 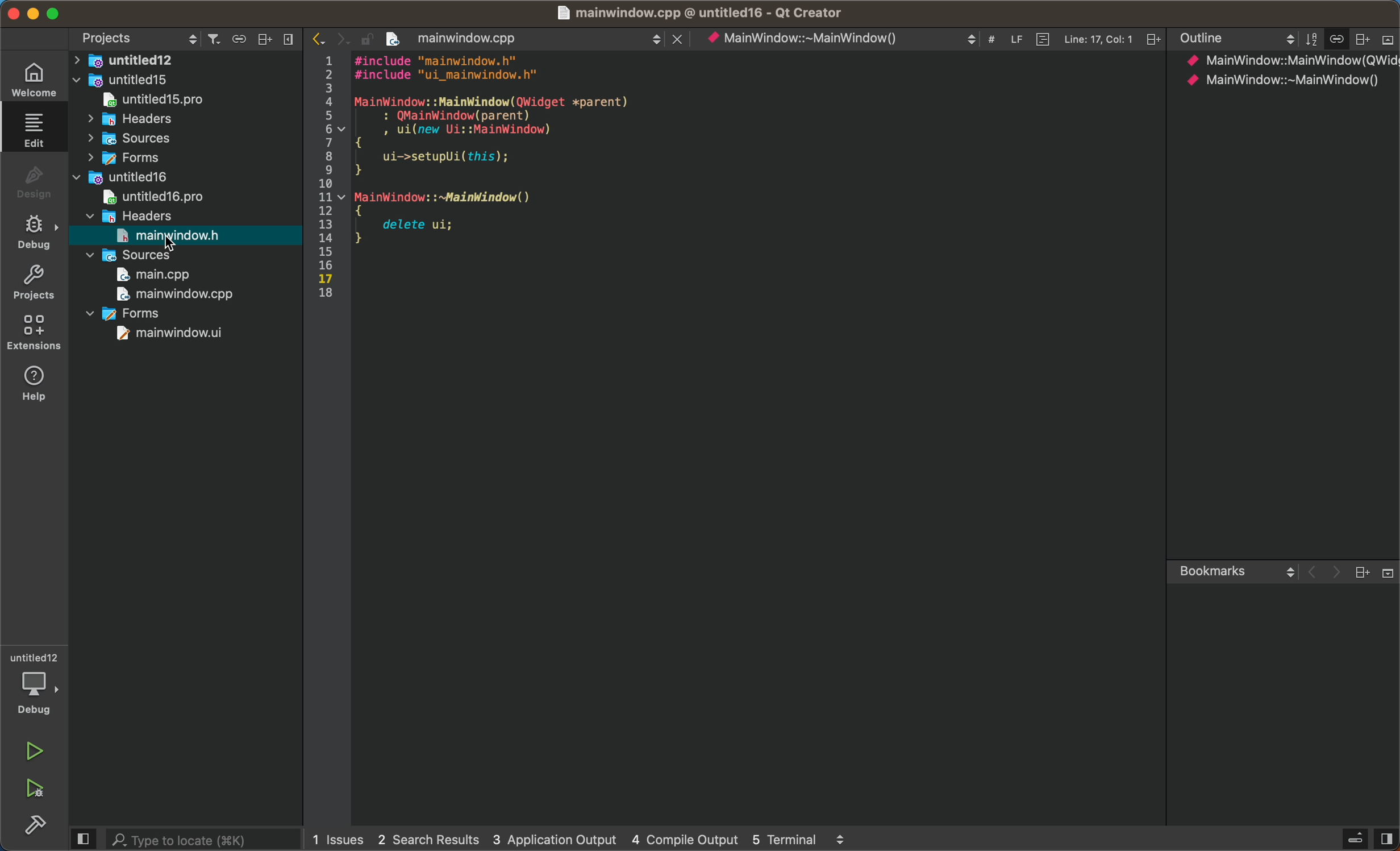 I want to click on file settings , so click(x=933, y=38).